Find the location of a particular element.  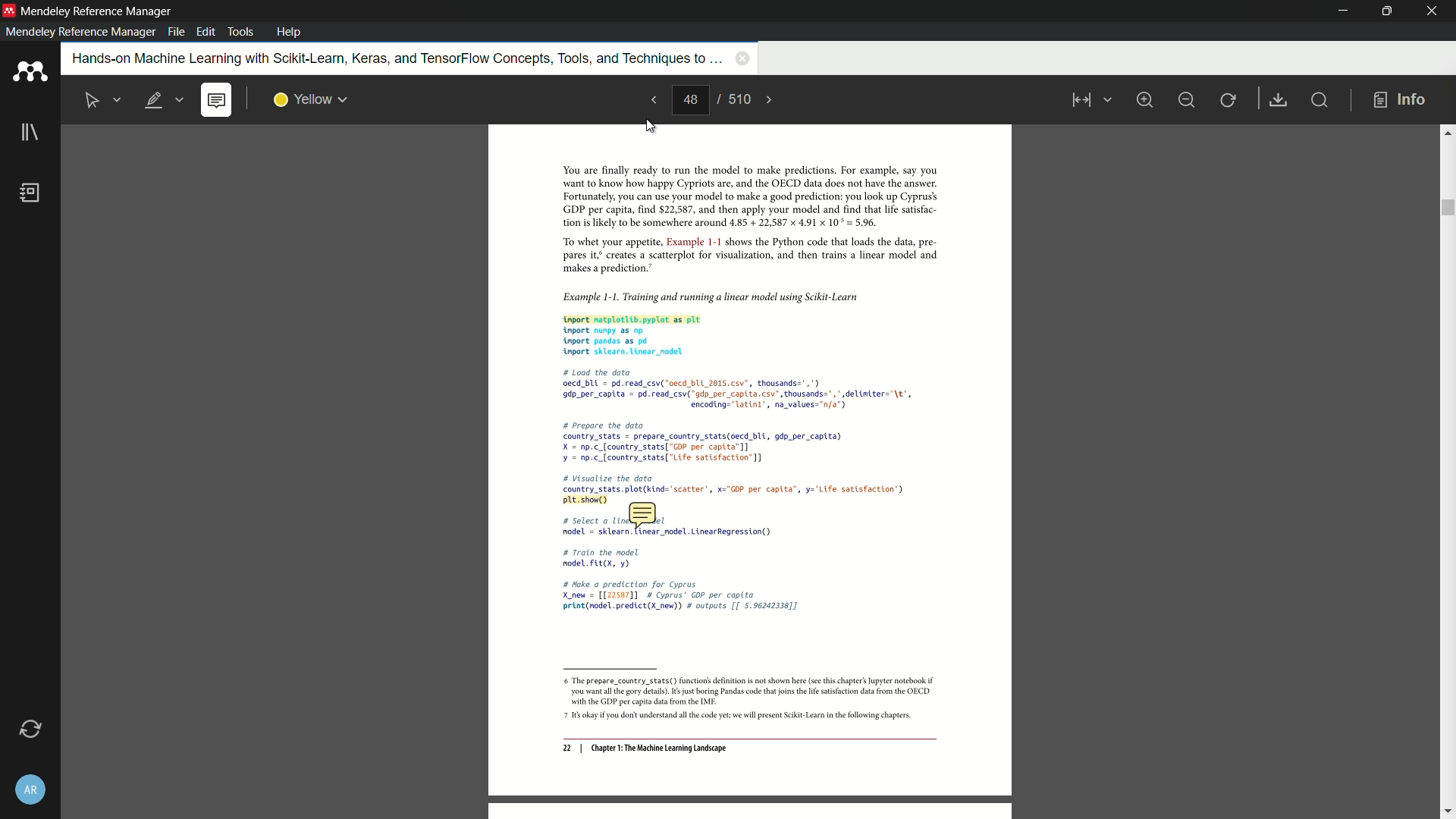

previous page is located at coordinates (652, 99).